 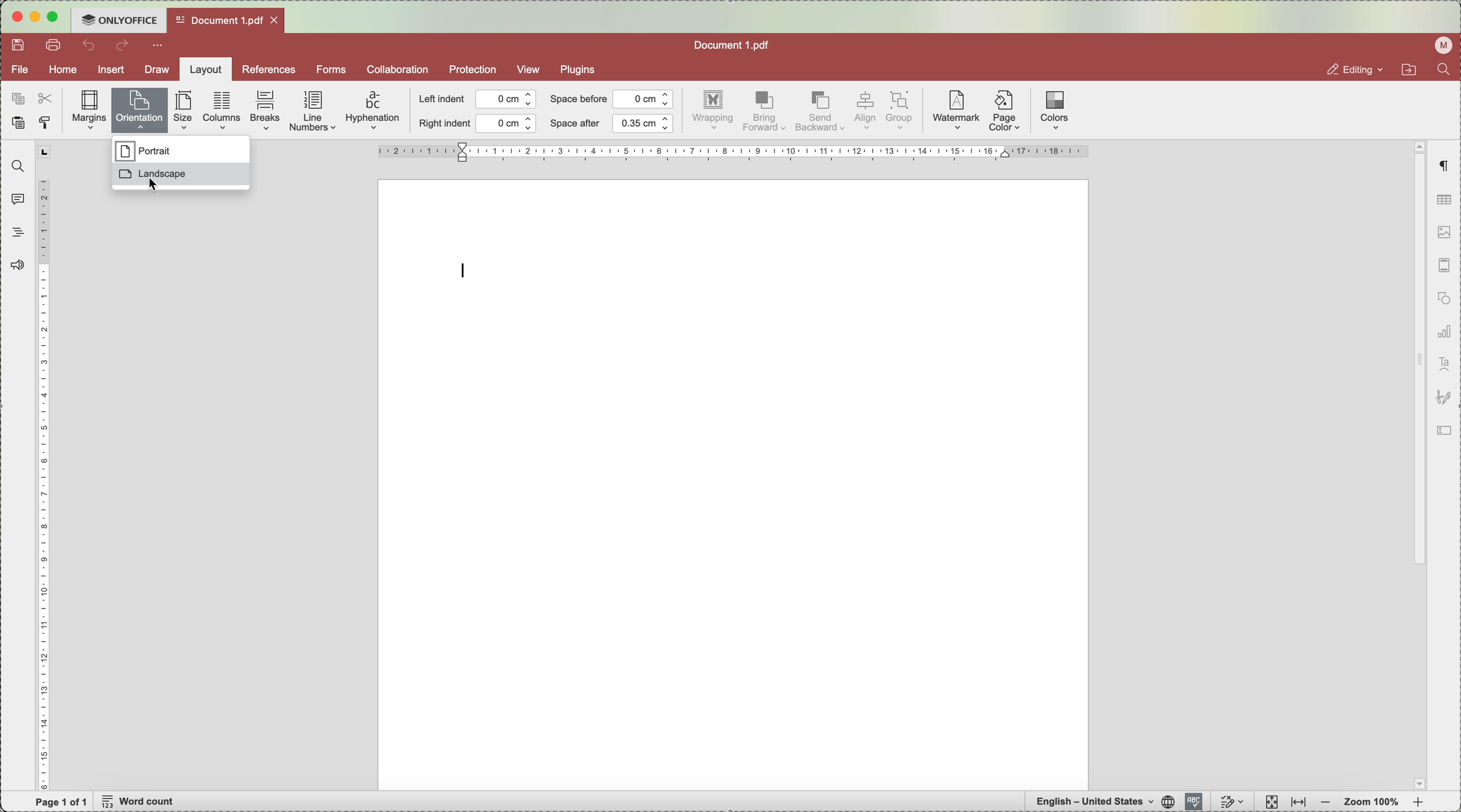 What do you see at coordinates (732, 151) in the screenshot?
I see `ruler` at bounding box center [732, 151].